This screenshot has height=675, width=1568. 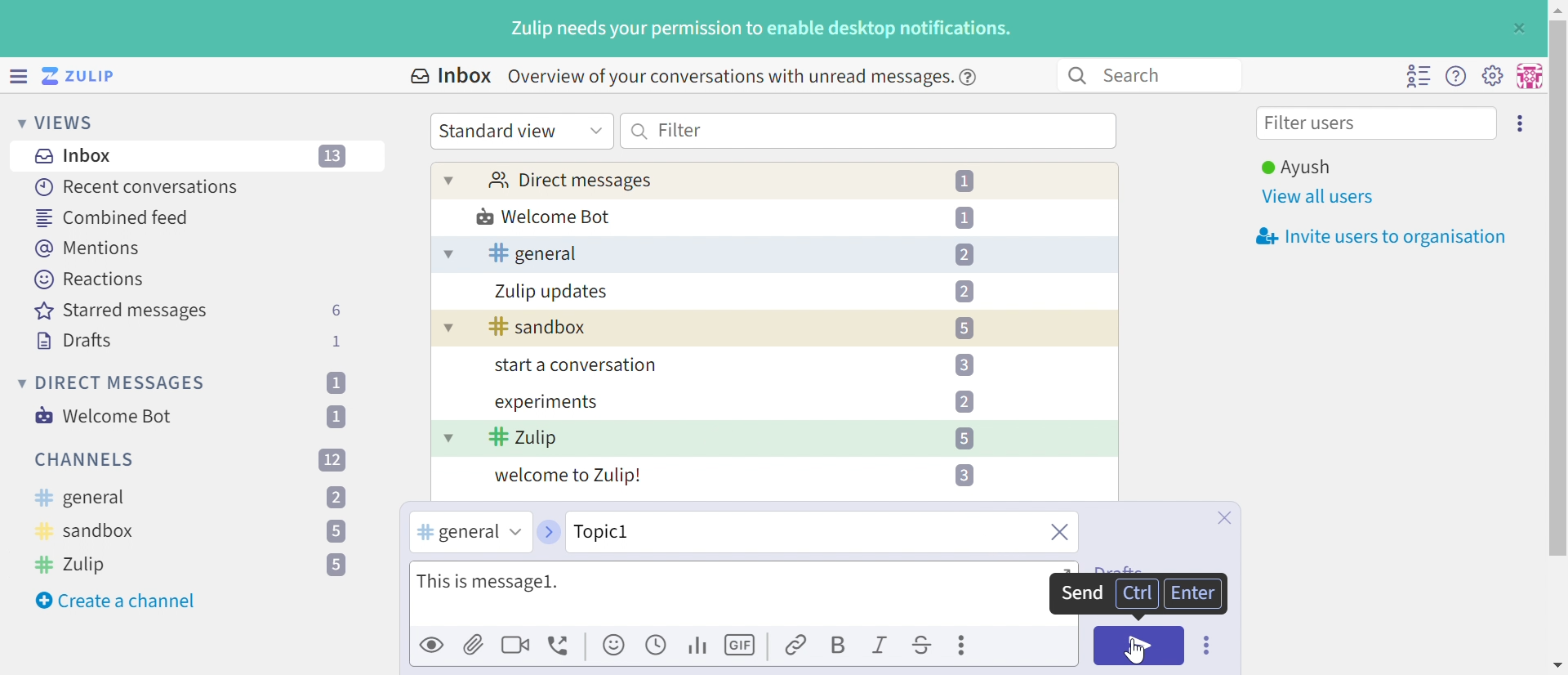 What do you see at coordinates (138, 186) in the screenshot?
I see `Recent conversations` at bounding box center [138, 186].